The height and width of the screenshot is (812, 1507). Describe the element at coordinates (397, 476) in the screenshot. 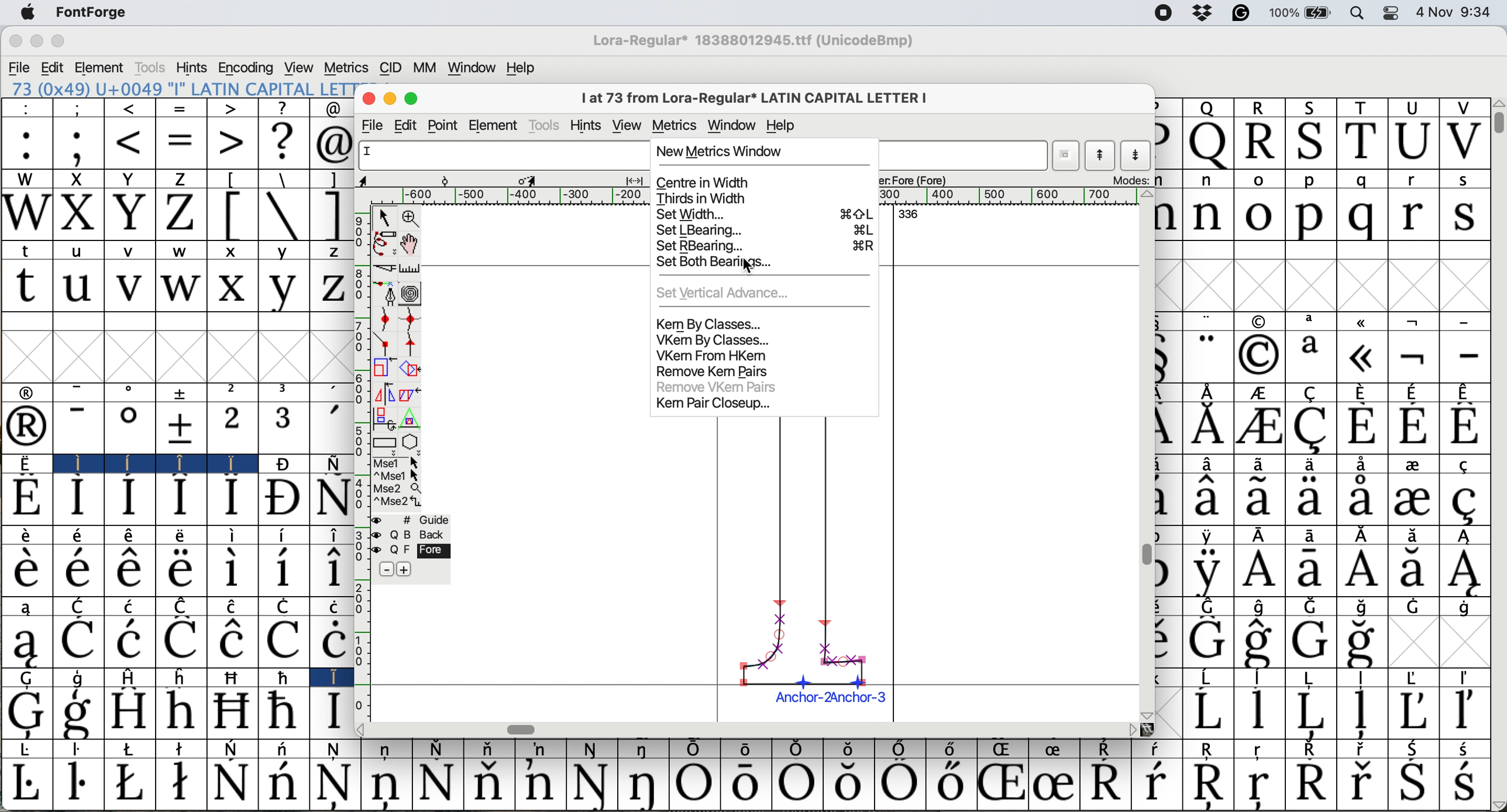

I see `^ Mse 1` at that location.